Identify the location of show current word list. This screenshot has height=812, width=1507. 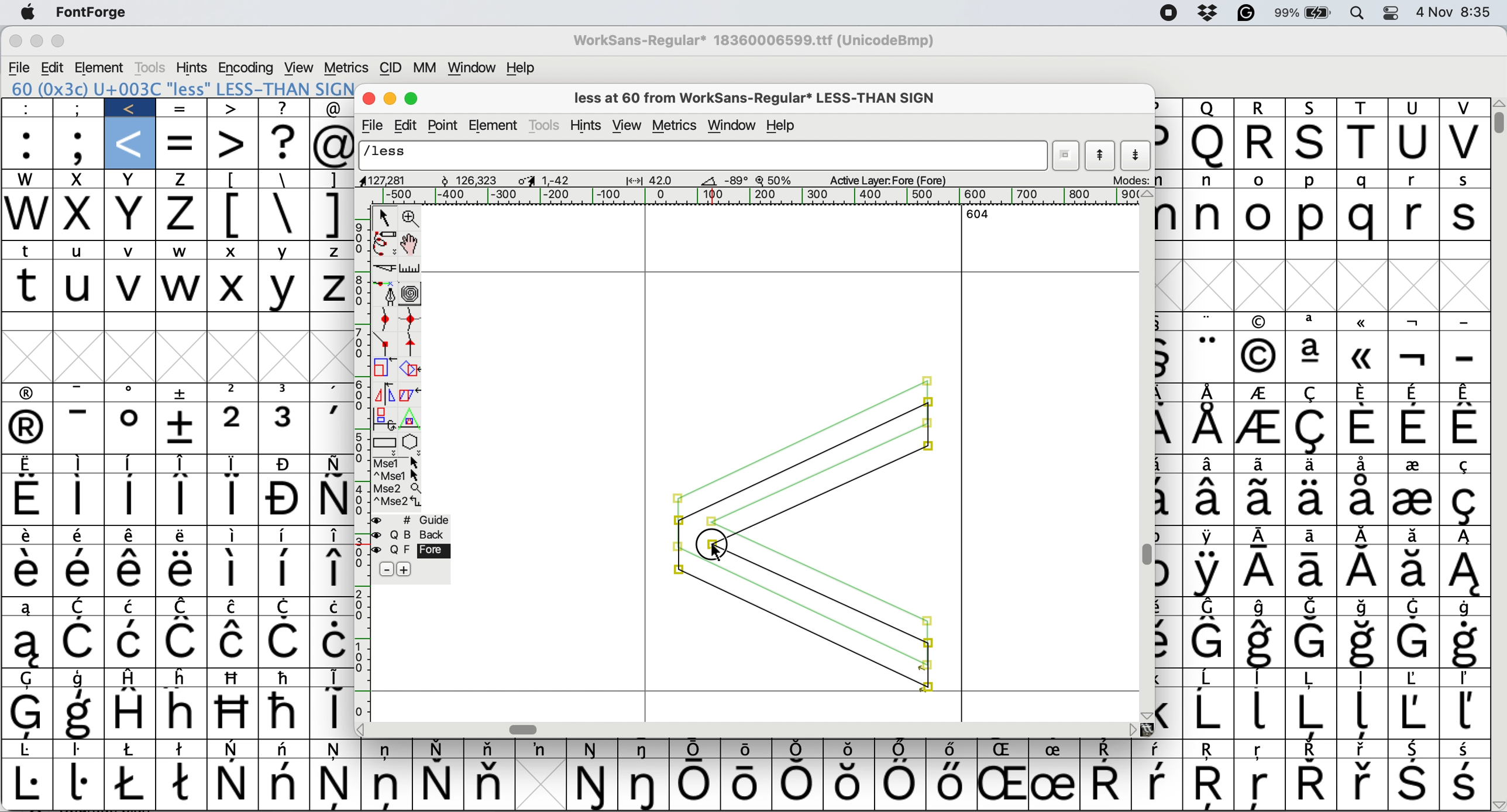
(1069, 155).